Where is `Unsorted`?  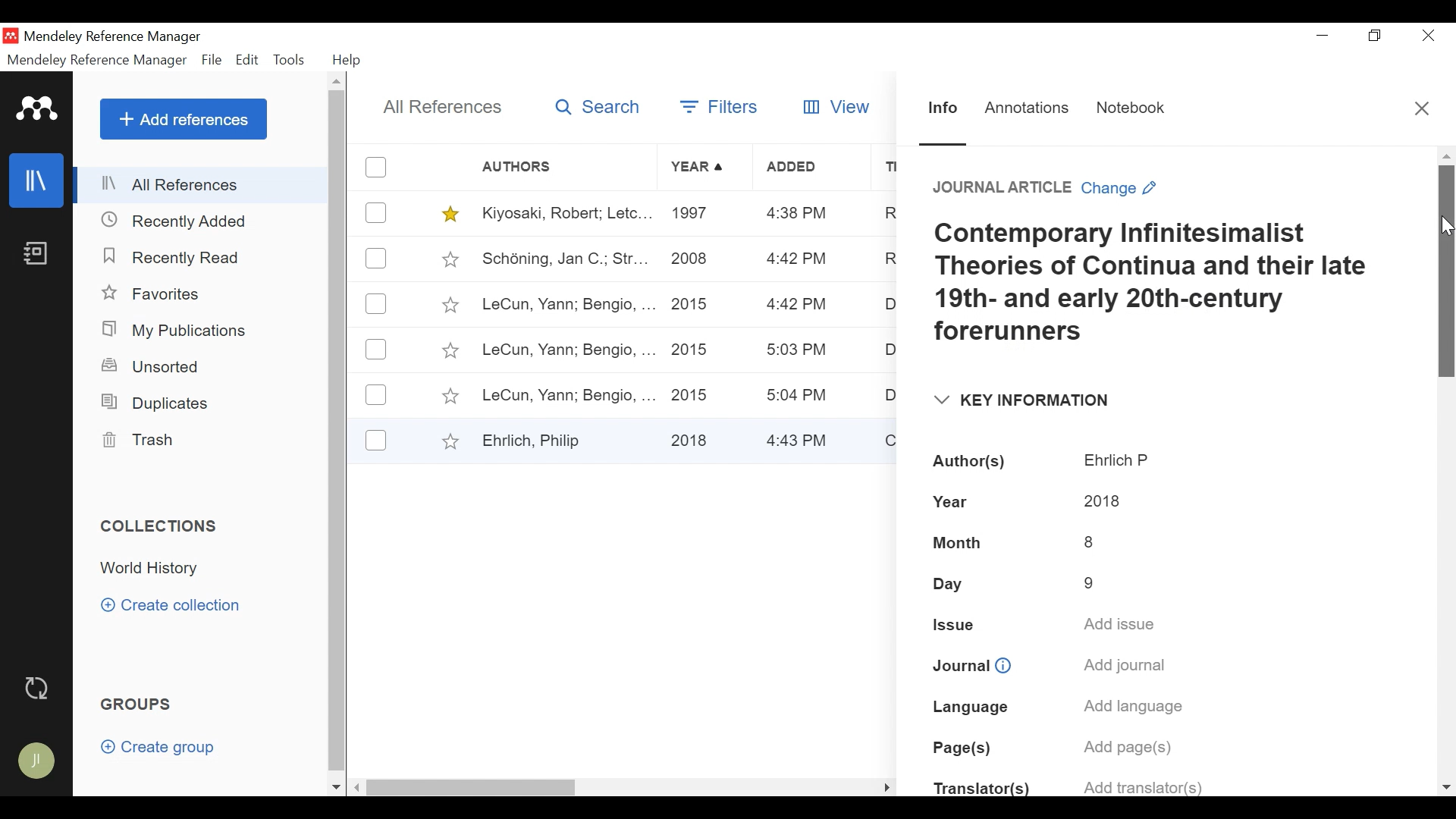
Unsorted is located at coordinates (151, 368).